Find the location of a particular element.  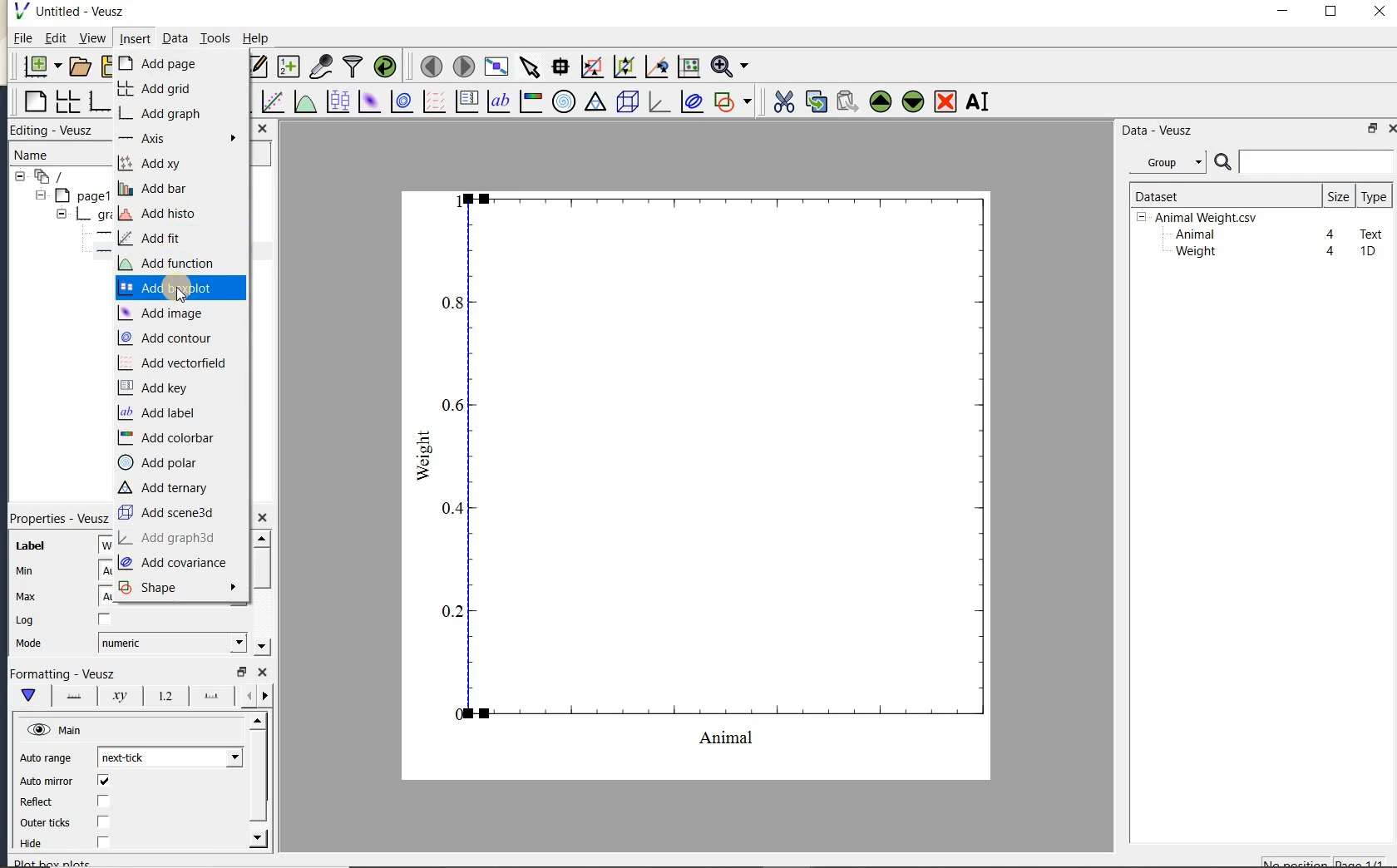

edit and enter new datasets is located at coordinates (255, 67).